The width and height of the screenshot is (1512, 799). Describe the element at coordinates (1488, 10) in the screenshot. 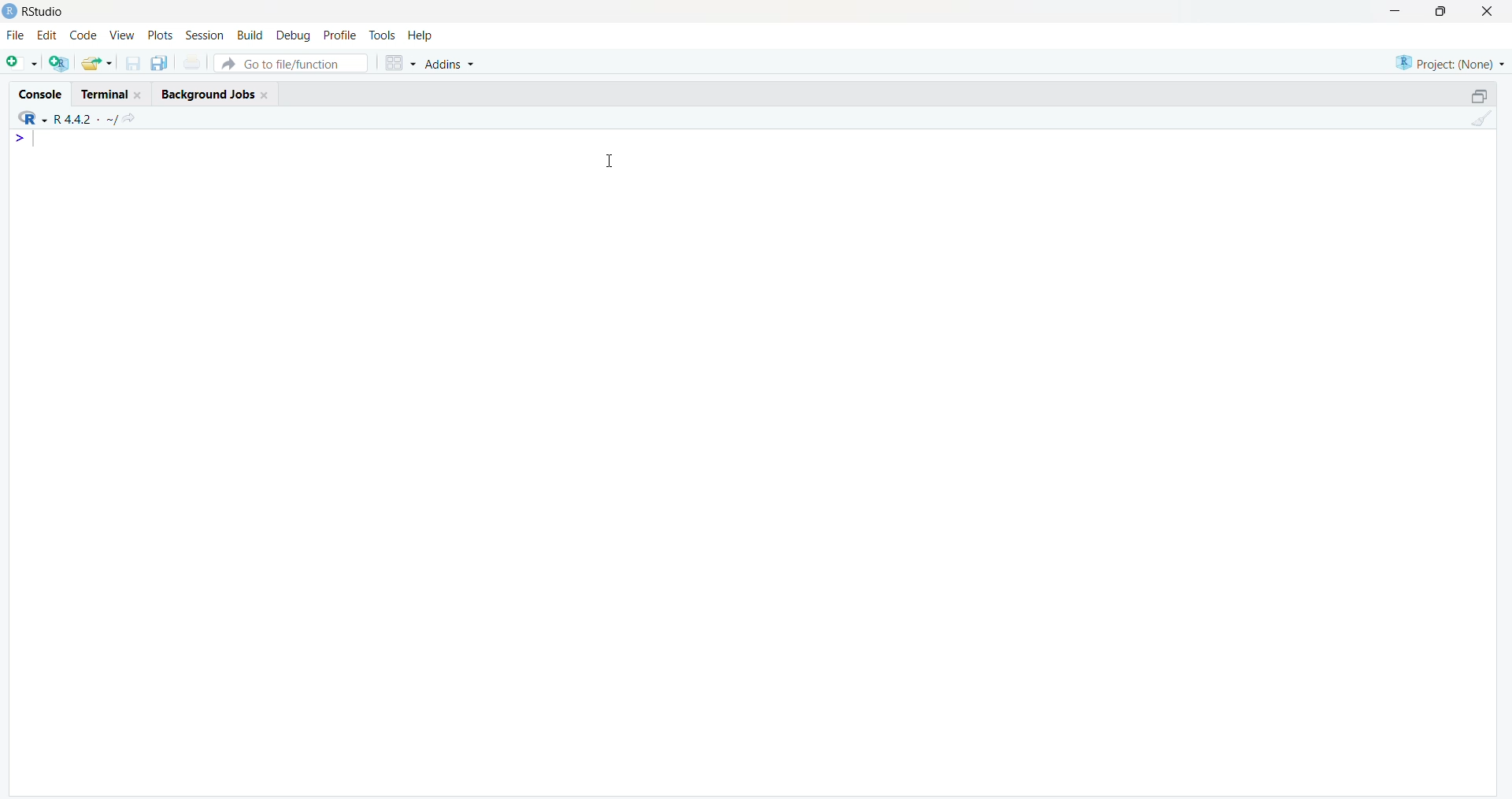

I see `close` at that location.